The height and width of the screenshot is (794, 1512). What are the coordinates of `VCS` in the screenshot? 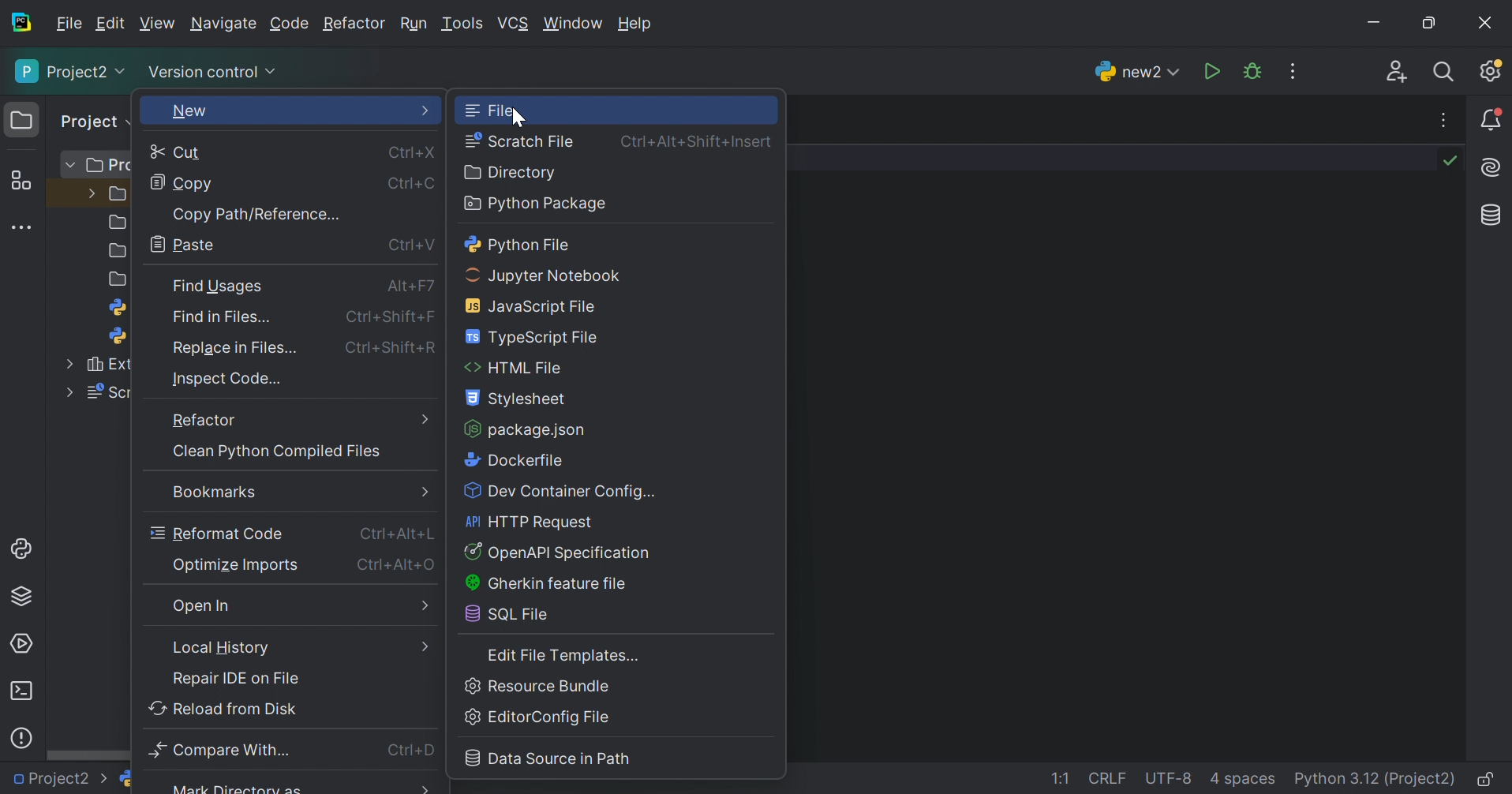 It's located at (513, 23).